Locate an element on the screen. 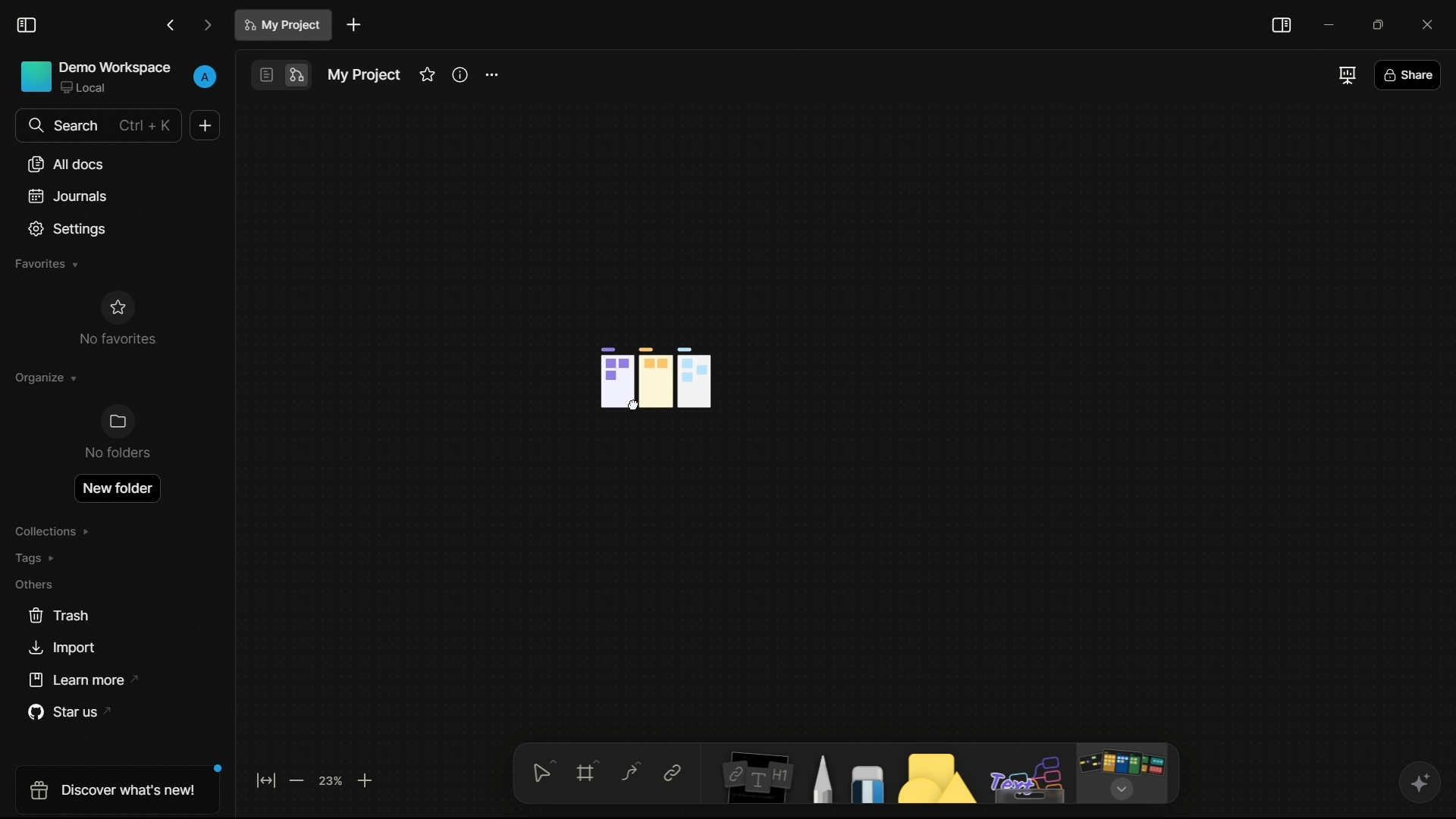 This screenshot has width=1456, height=819. pencil and pen is located at coordinates (821, 778).